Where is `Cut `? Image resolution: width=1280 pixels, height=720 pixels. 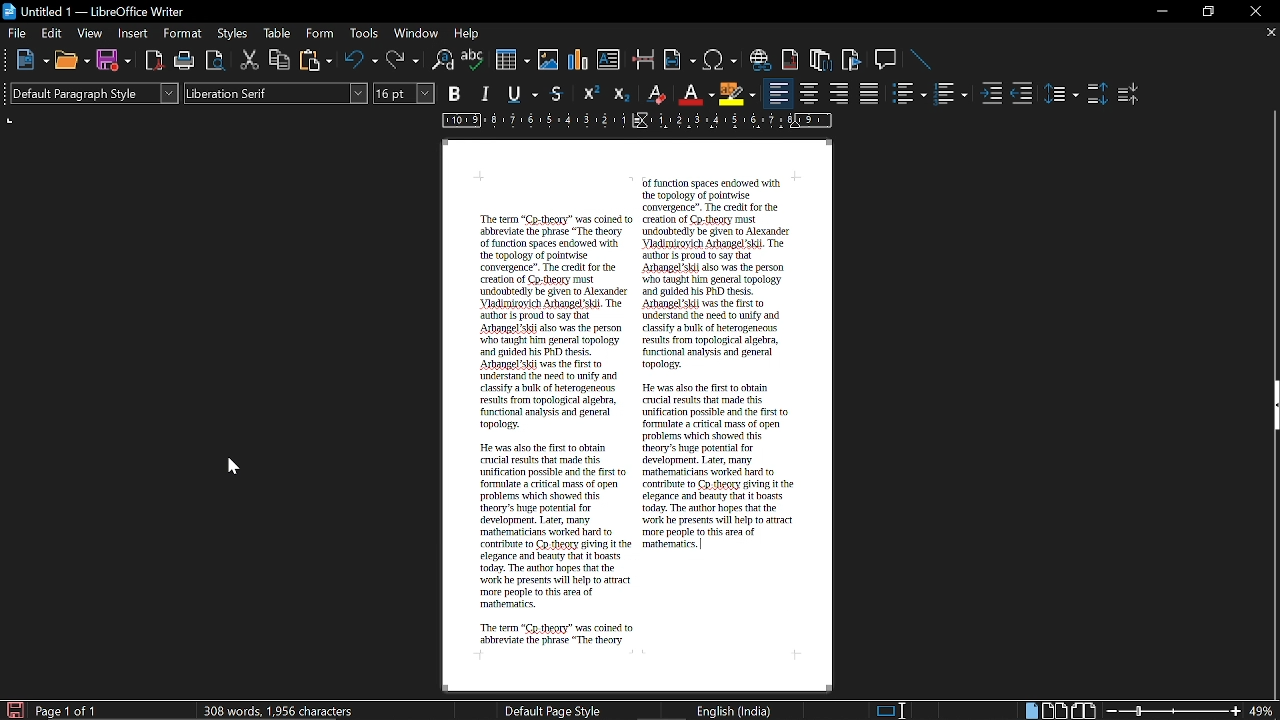
Cut  is located at coordinates (248, 62).